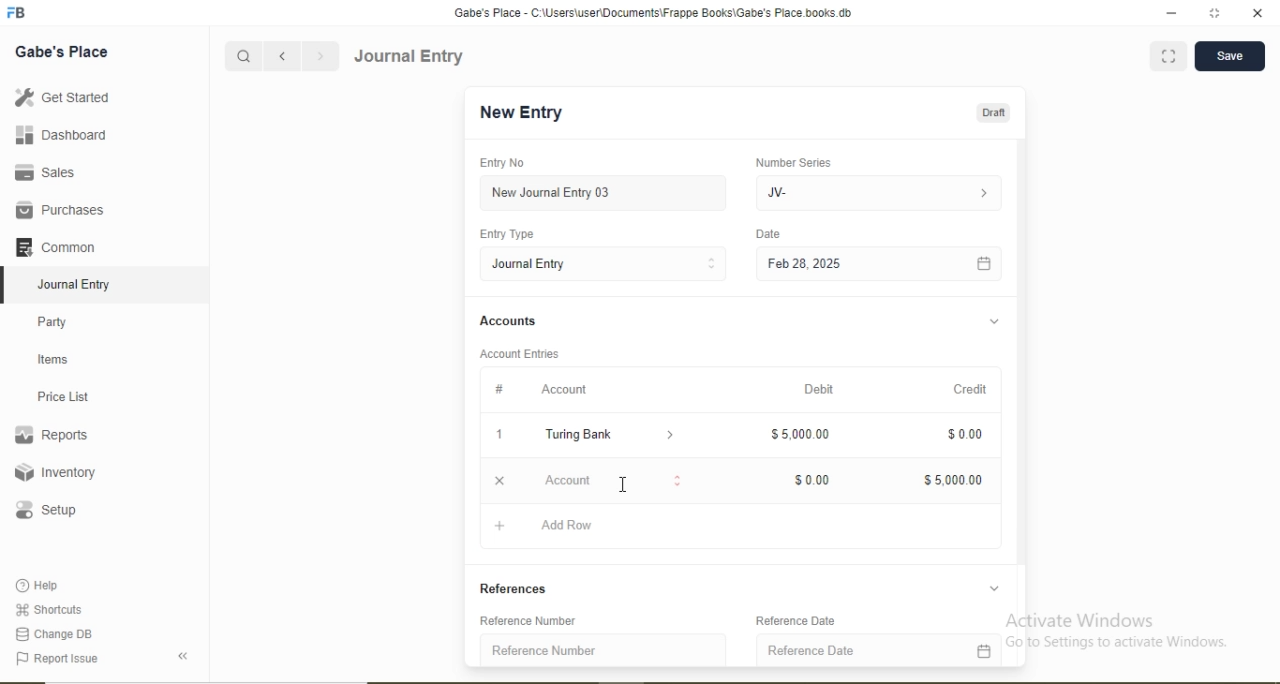 The image size is (1280, 684). What do you see at coordinates (965, 435) in the screenshot?
I see `$0.00` at bounding box center [965, 435].